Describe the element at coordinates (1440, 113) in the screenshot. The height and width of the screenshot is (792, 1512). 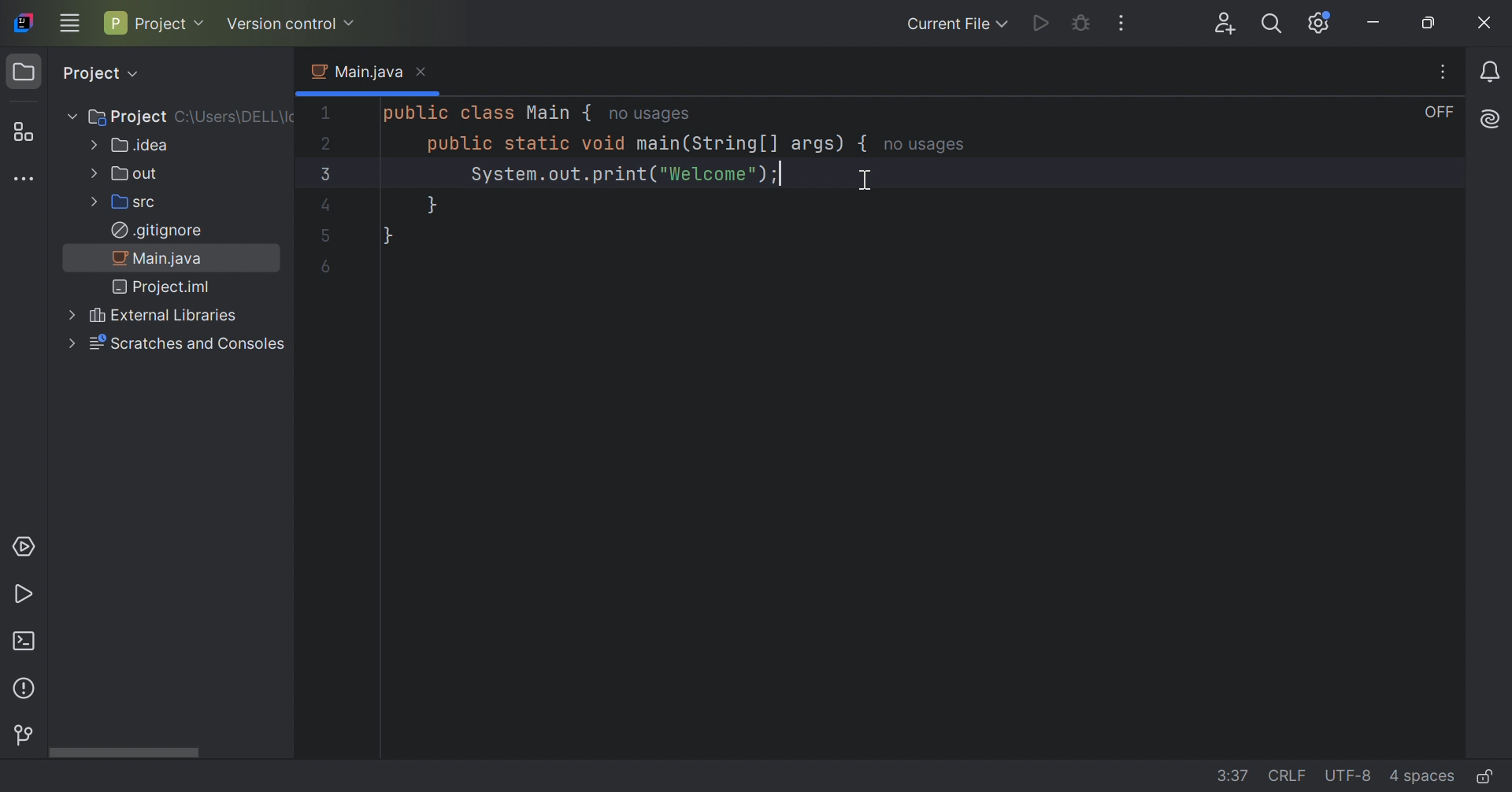
I see `OFF` at that location.